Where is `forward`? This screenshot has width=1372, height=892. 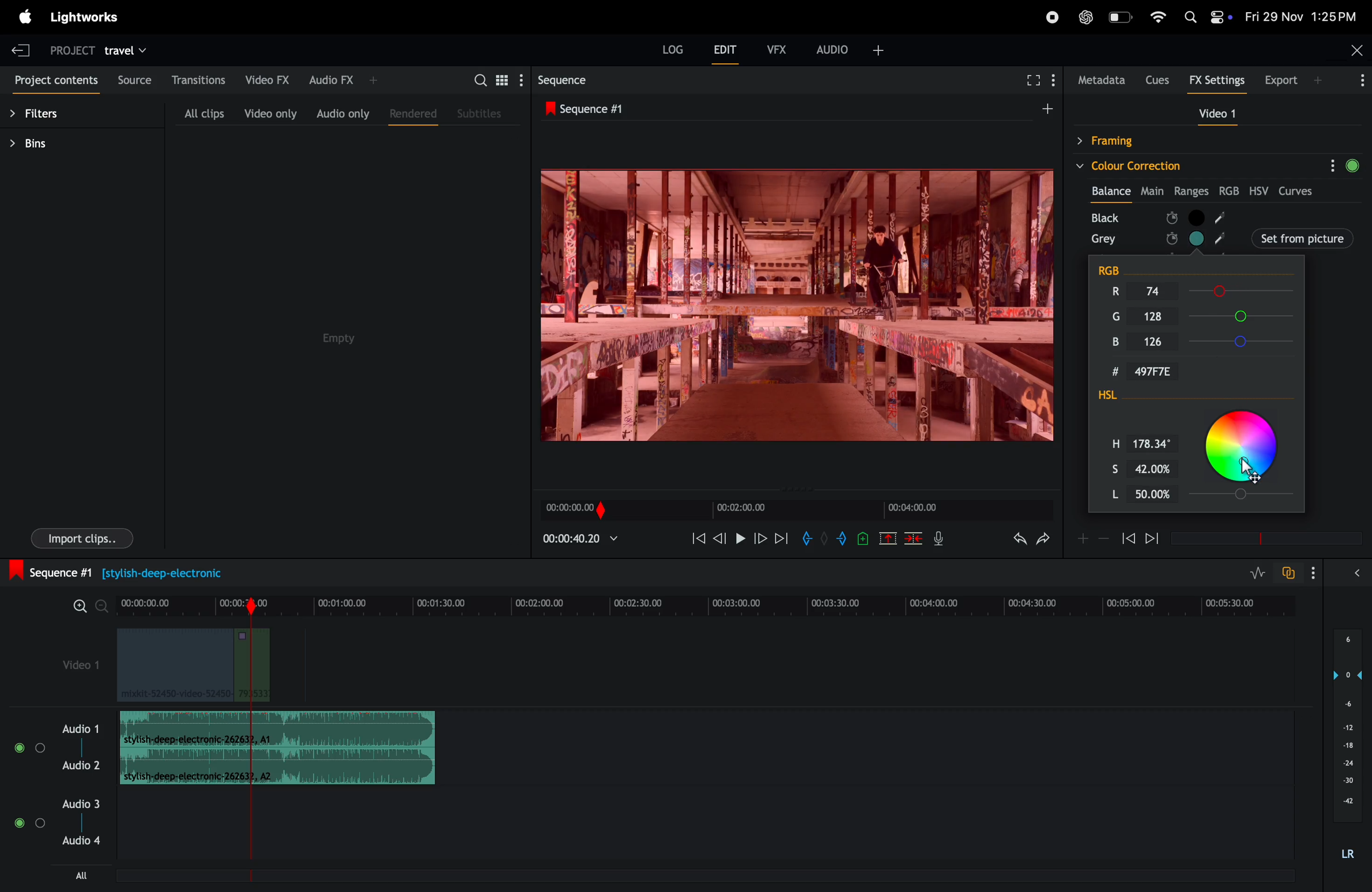 forward is located at coordinates (1150, 540).